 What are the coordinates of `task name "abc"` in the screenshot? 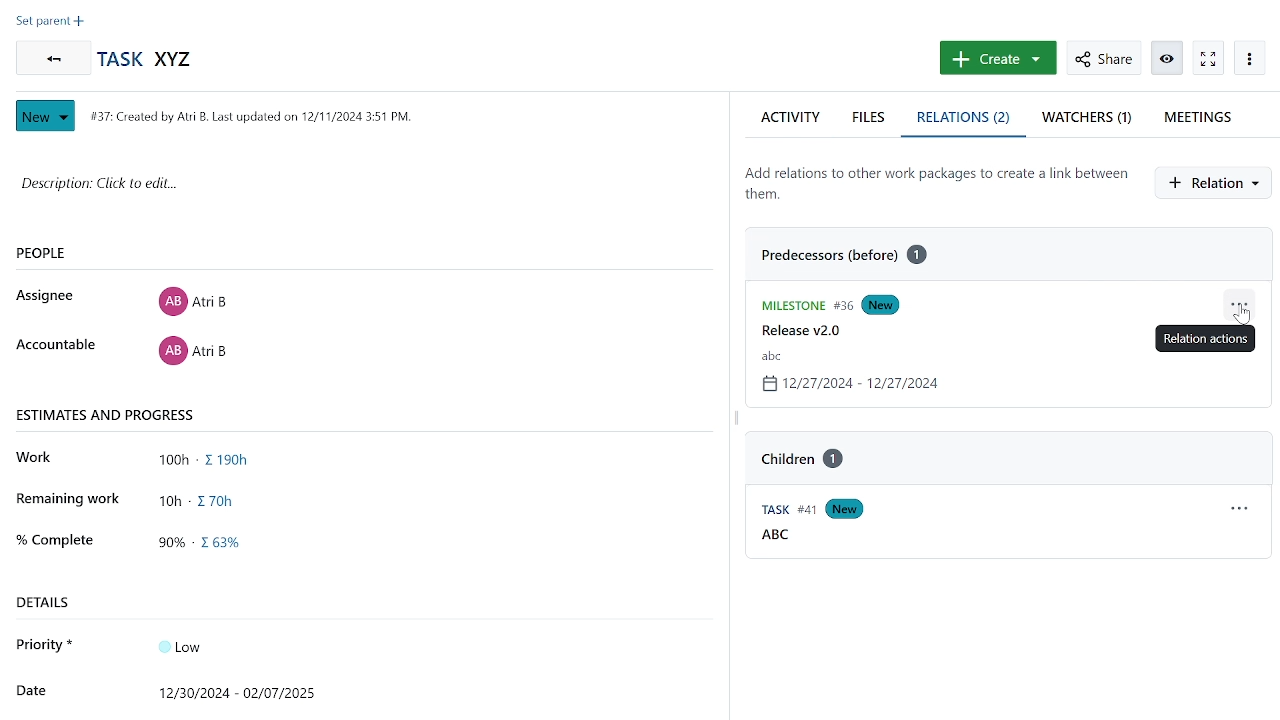 It's located at (769, 356).